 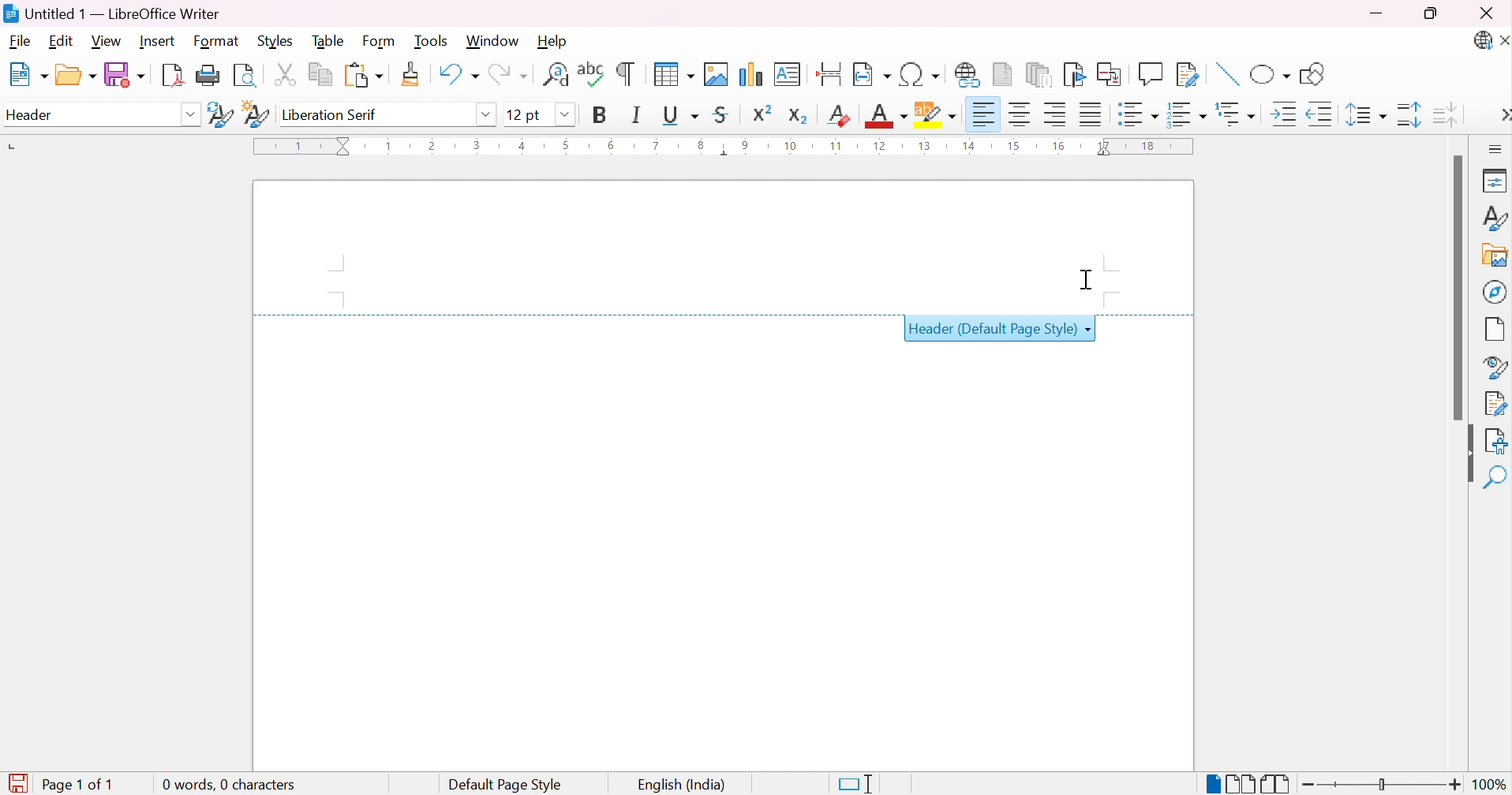 What do you see at coordinates (1005, 73) in the screenshot?
I see `Insert footnote` at bounding box center [1005, 73].